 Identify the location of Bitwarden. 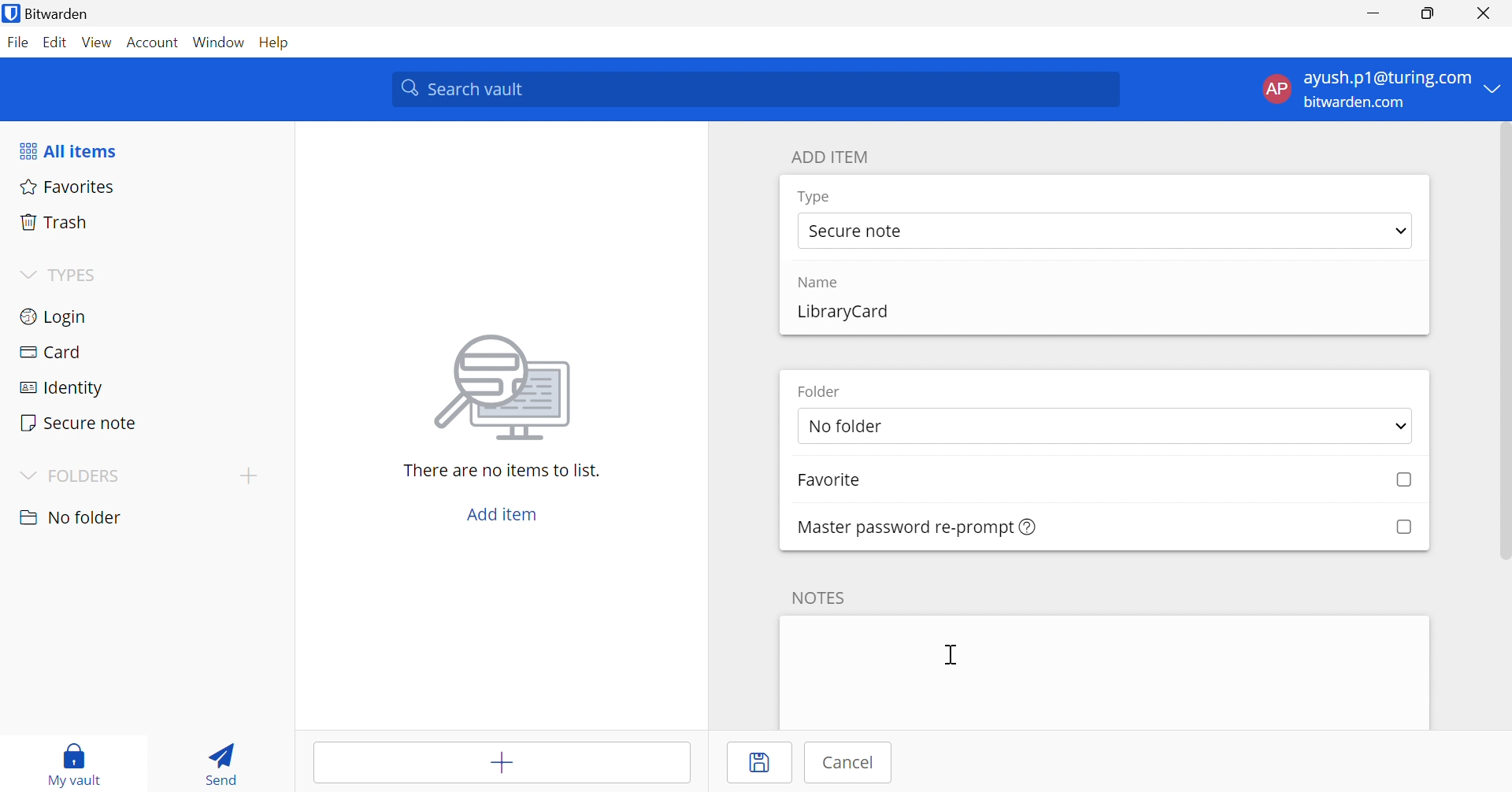
(50, 13).